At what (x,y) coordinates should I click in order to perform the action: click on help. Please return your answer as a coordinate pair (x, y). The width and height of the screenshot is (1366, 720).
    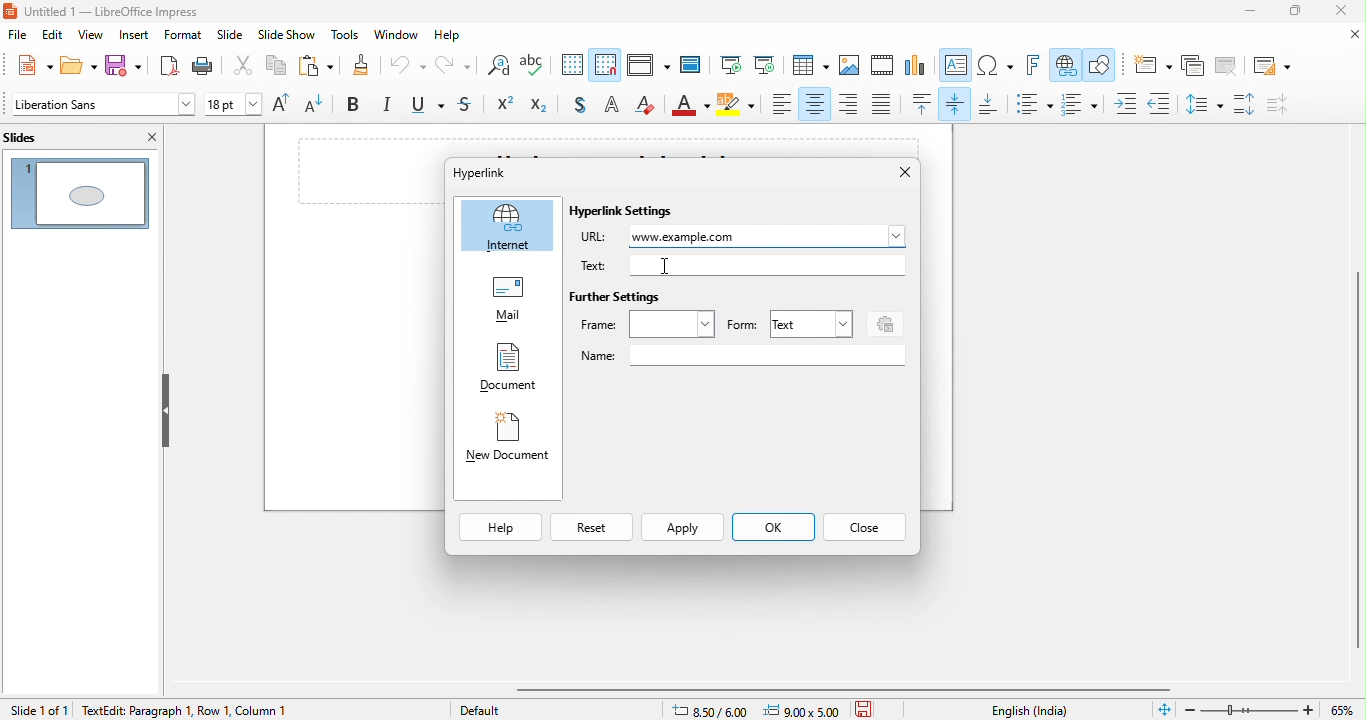
    Looking at the image, I should click on (454, 37).